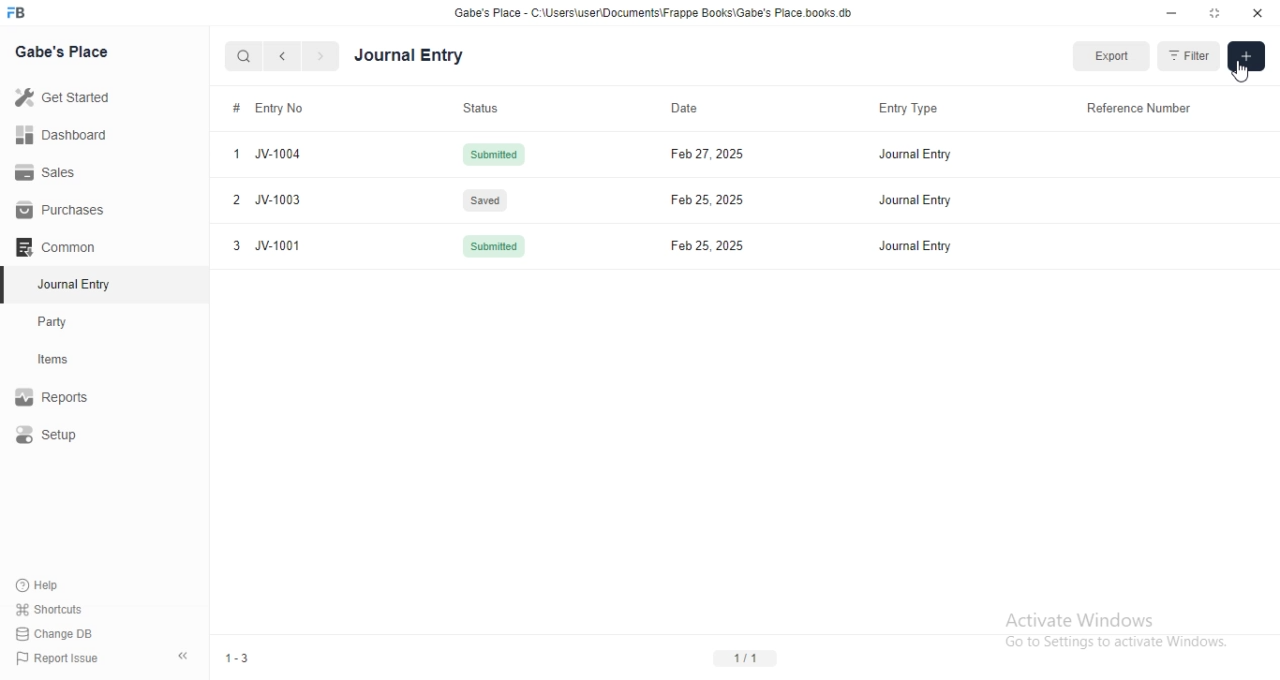  What do you see at coordinates (1140, 111) in the screenshot?
I see `Reference Number` at bounding box center [1140, 111].